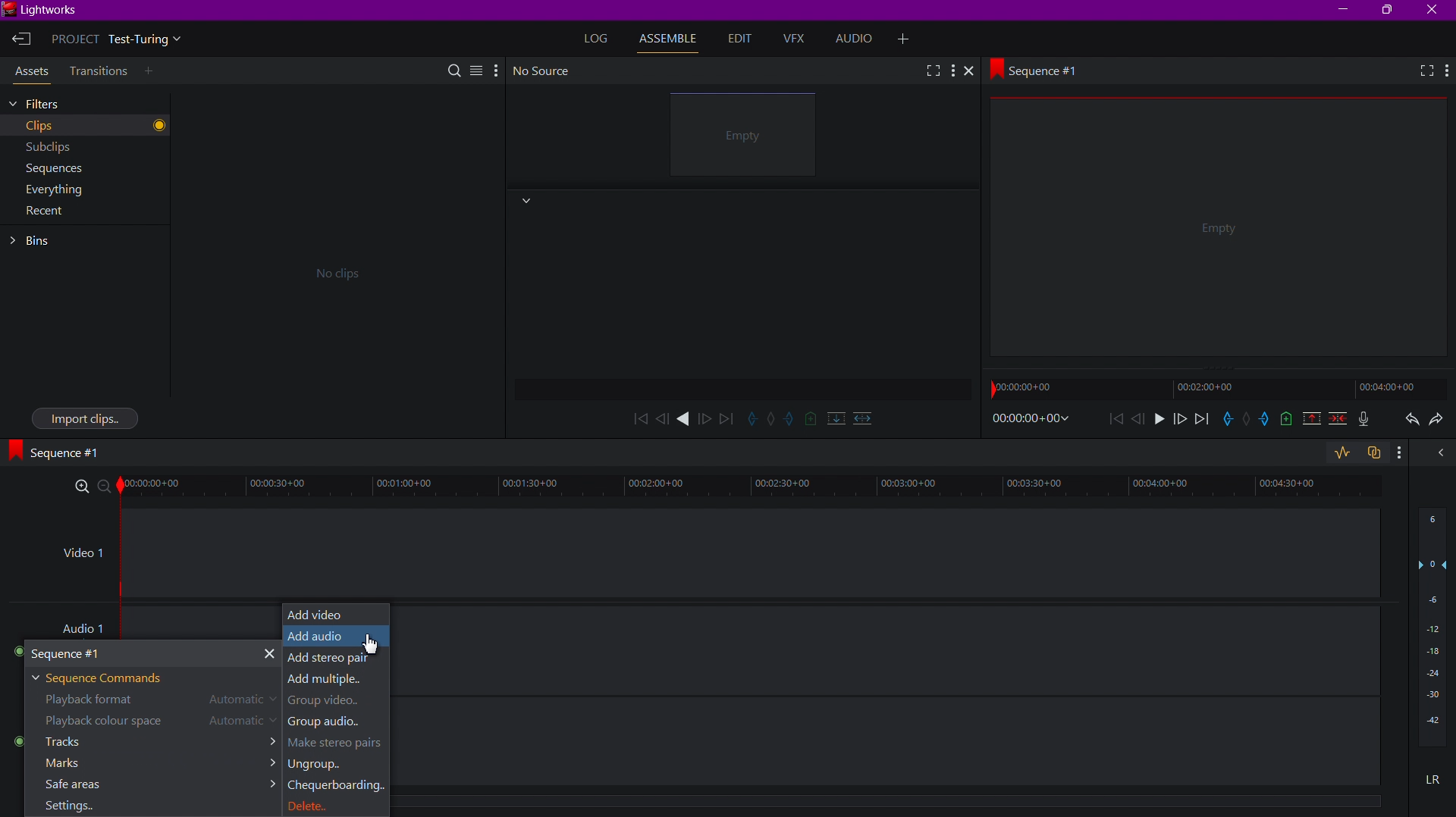 The height and width of the screenshot is (817, 1456). What do you see at coordinates (750, 552) in the screenshot?
I see `Video Track` at bounding box center [750, 552].